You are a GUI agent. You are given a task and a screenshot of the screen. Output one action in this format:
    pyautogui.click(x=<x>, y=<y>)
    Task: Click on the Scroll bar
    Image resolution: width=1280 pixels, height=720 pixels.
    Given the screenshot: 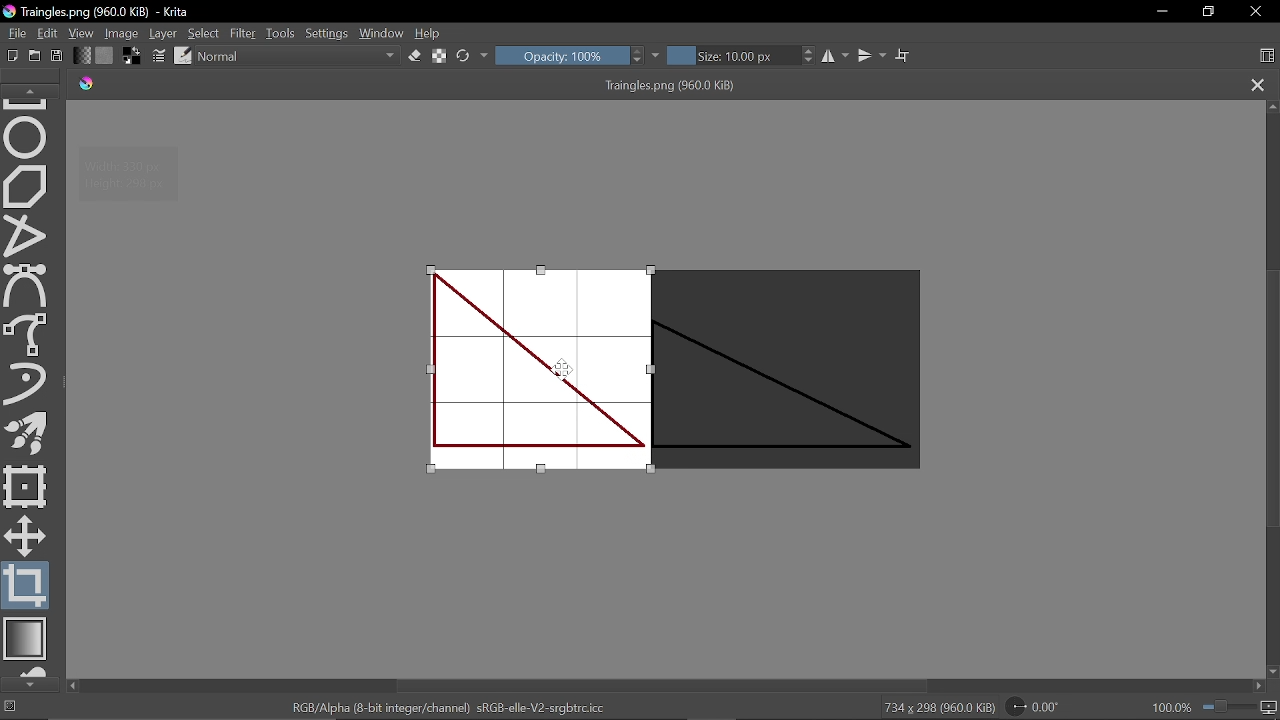 What is the action you would take?
    pyautogui.click(x=1271, y=401)
    